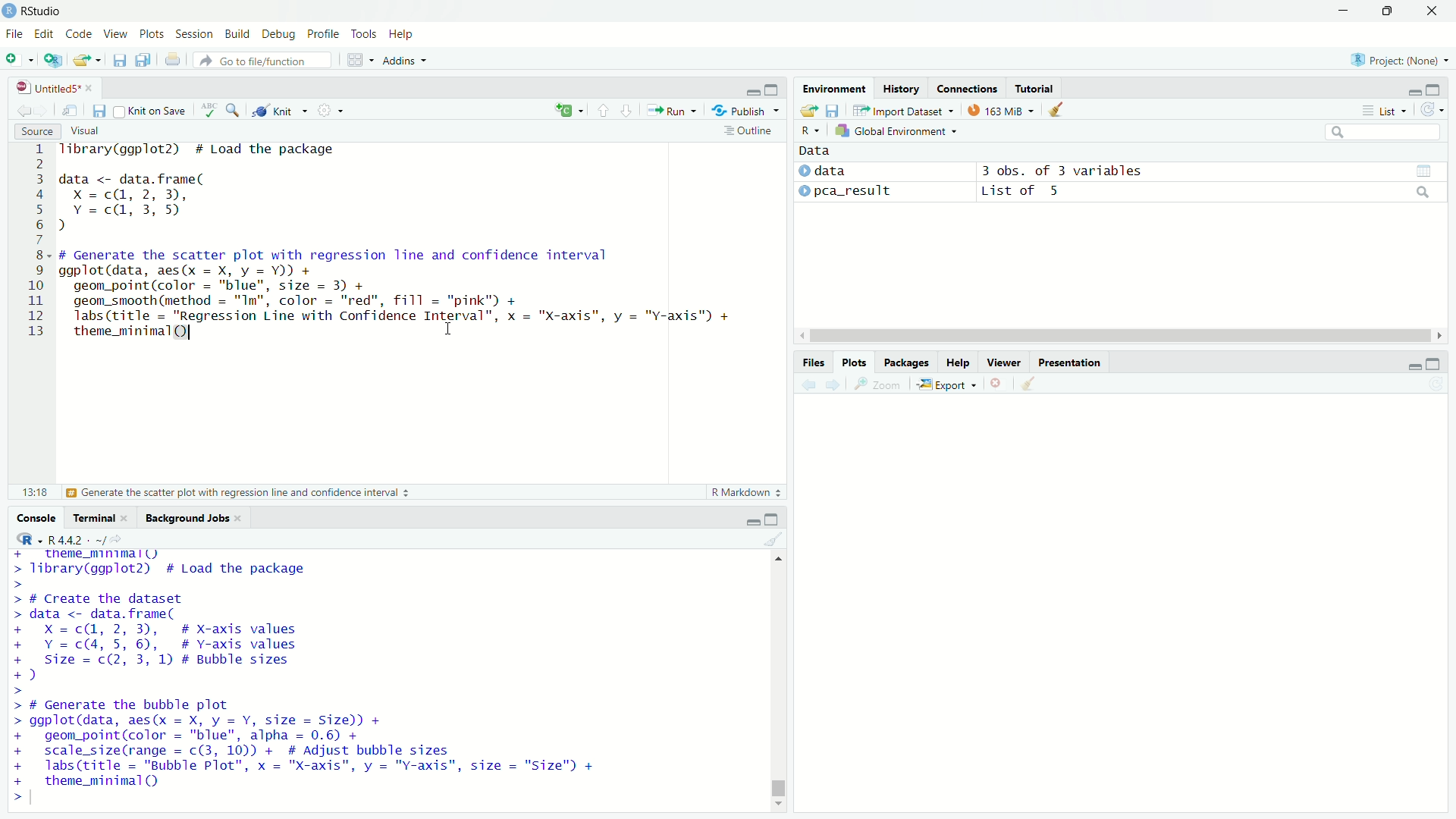 The width and height of the screenshot is (1456, 819). I want to click on restore, so click(1389, 11).